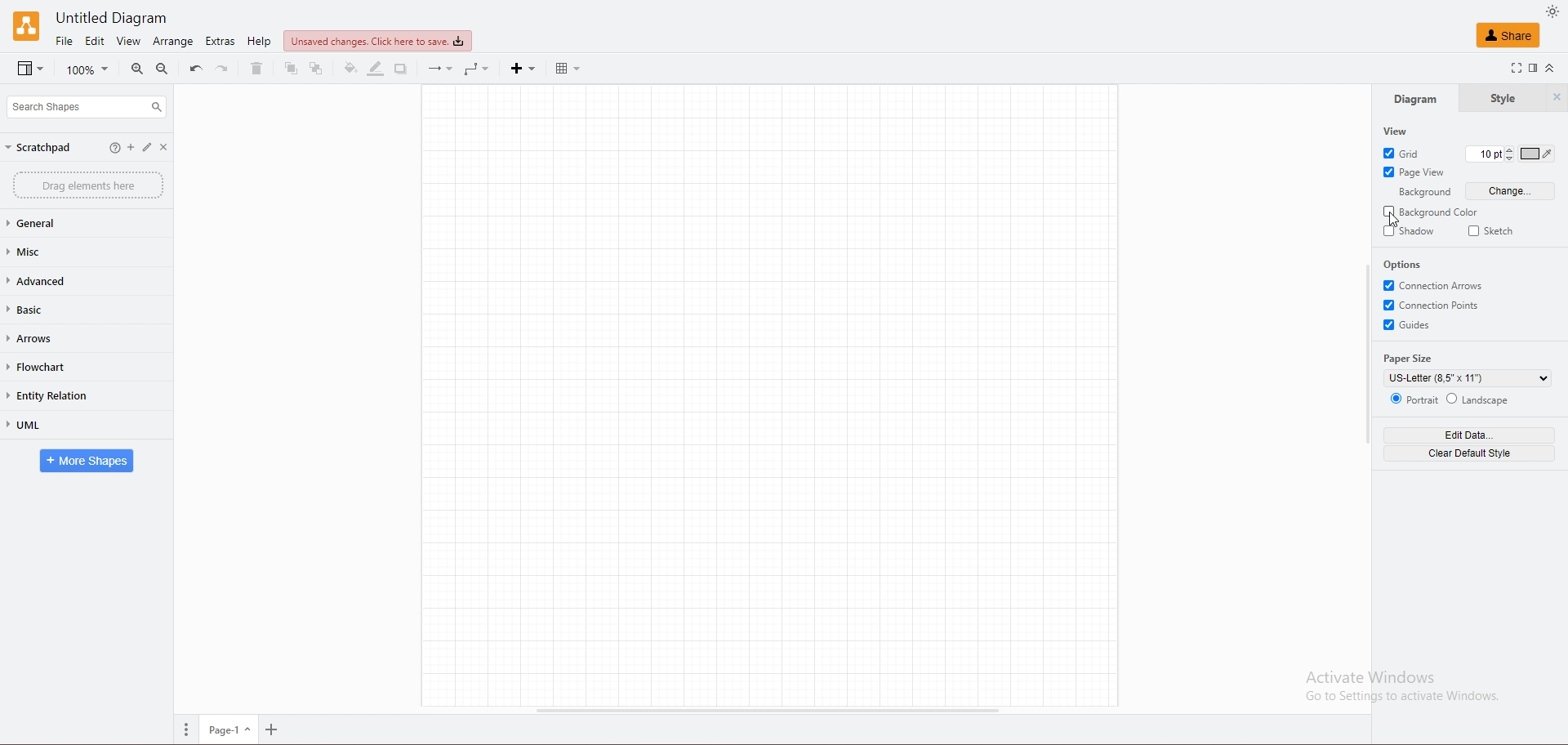  I want to click on undo, so click(197, 69).